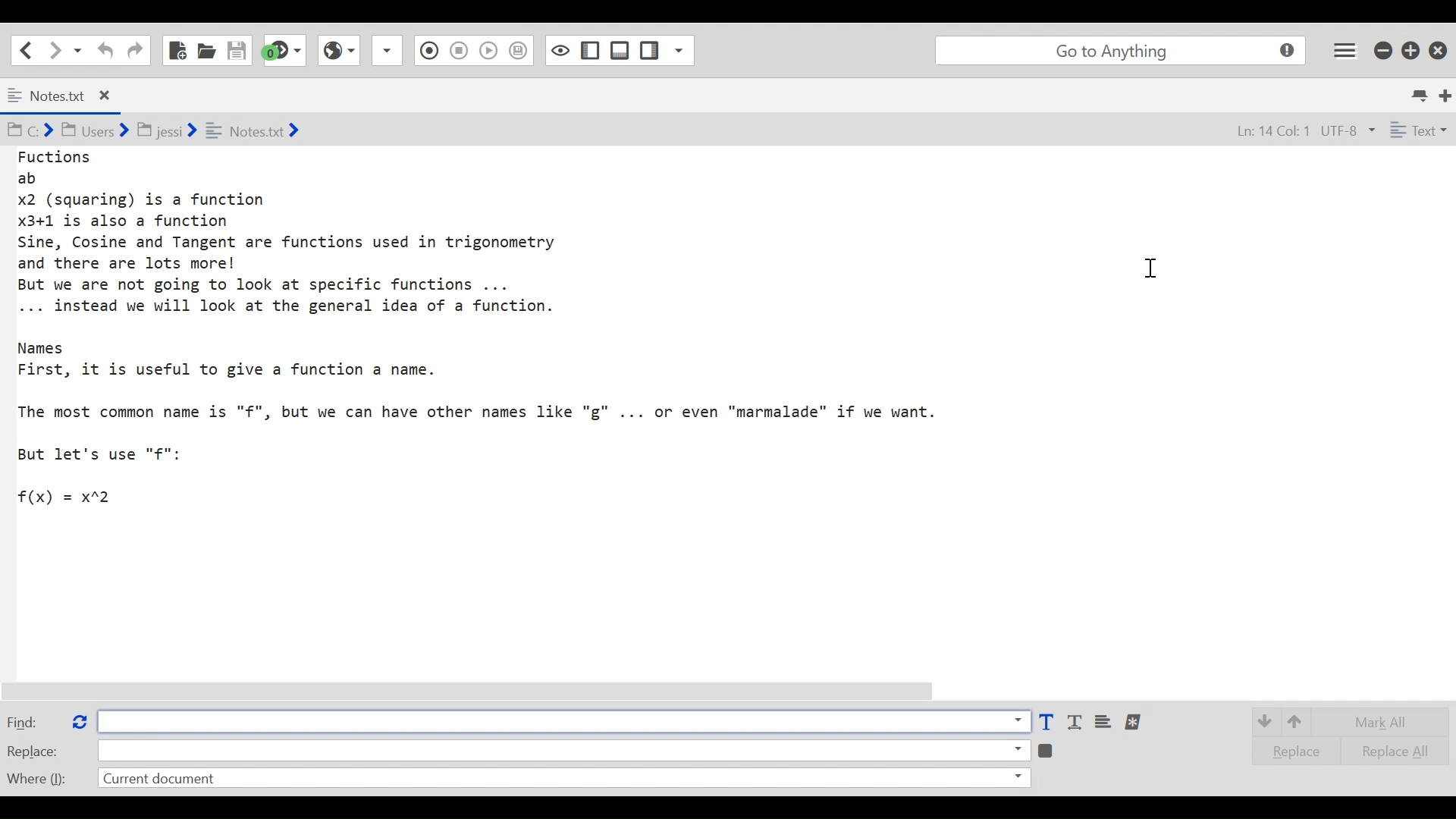 The height and width of the screenshot is (819, 1456). I want to click on Replace Button, so click(78, 720).